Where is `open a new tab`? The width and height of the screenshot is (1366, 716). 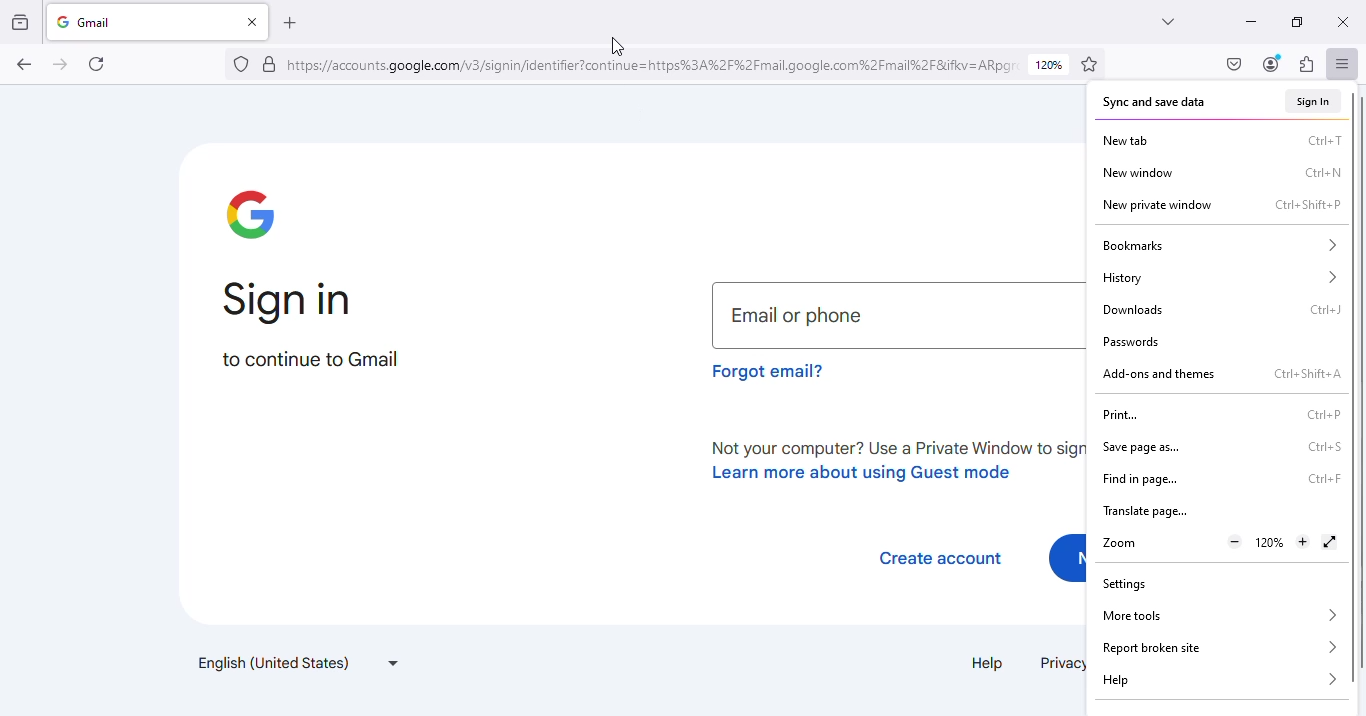
open a new tab is located at coordinates (289, 23).